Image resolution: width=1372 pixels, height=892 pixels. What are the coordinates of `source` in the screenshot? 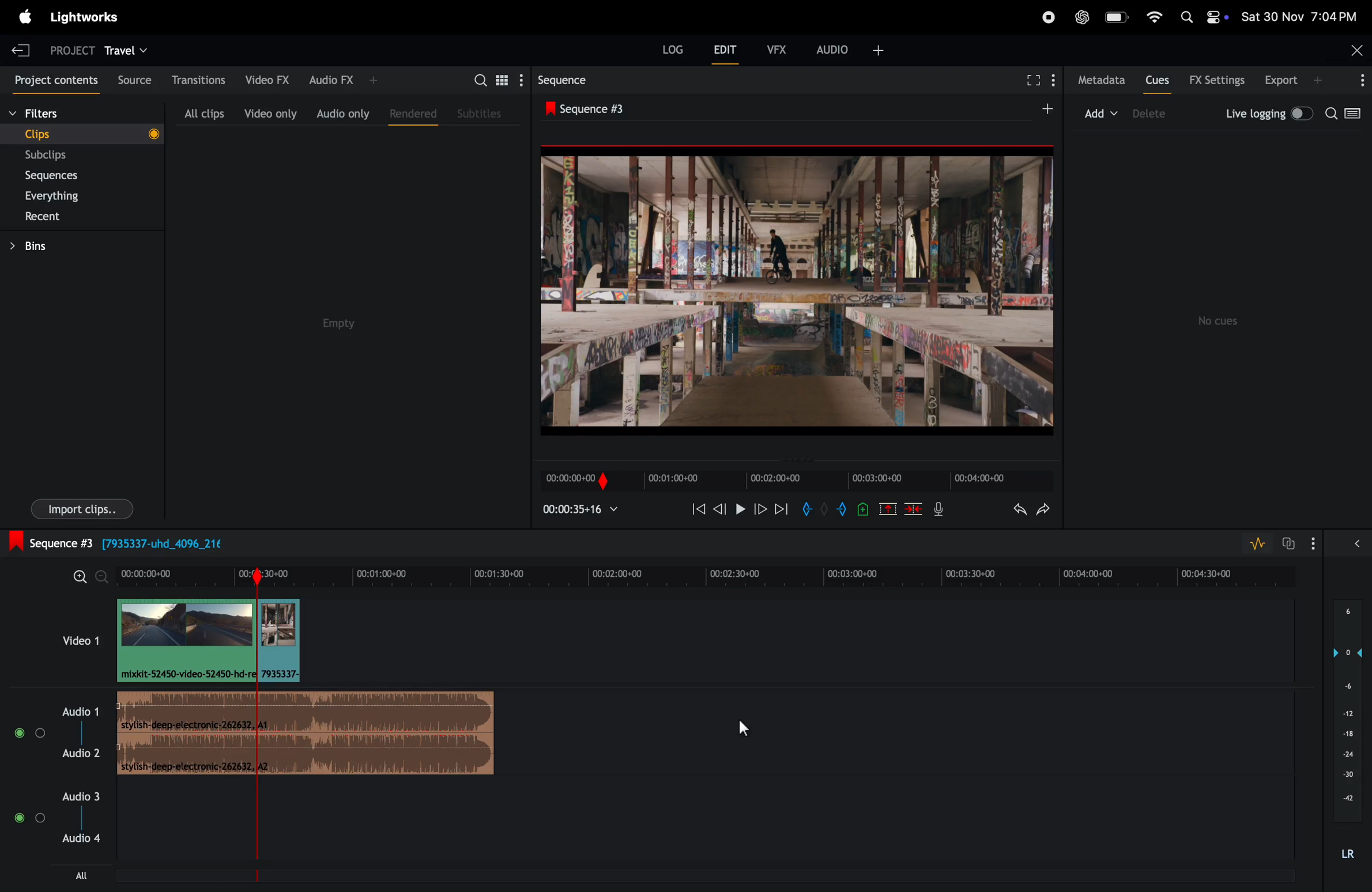 It's located at (130, 79).